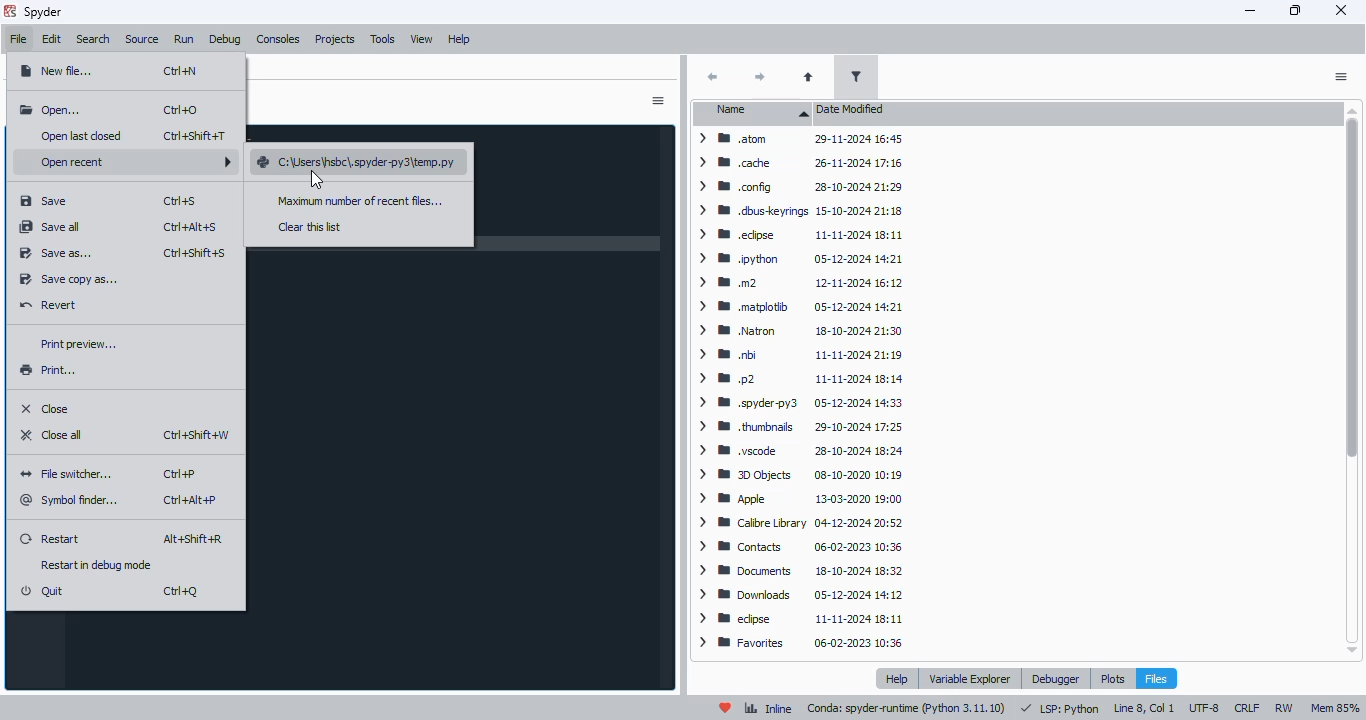 The height and width of the screenshot is (720, 1366). Describe the element at coordinates (51, 227) in the screenshot. I see `save all` at that location.